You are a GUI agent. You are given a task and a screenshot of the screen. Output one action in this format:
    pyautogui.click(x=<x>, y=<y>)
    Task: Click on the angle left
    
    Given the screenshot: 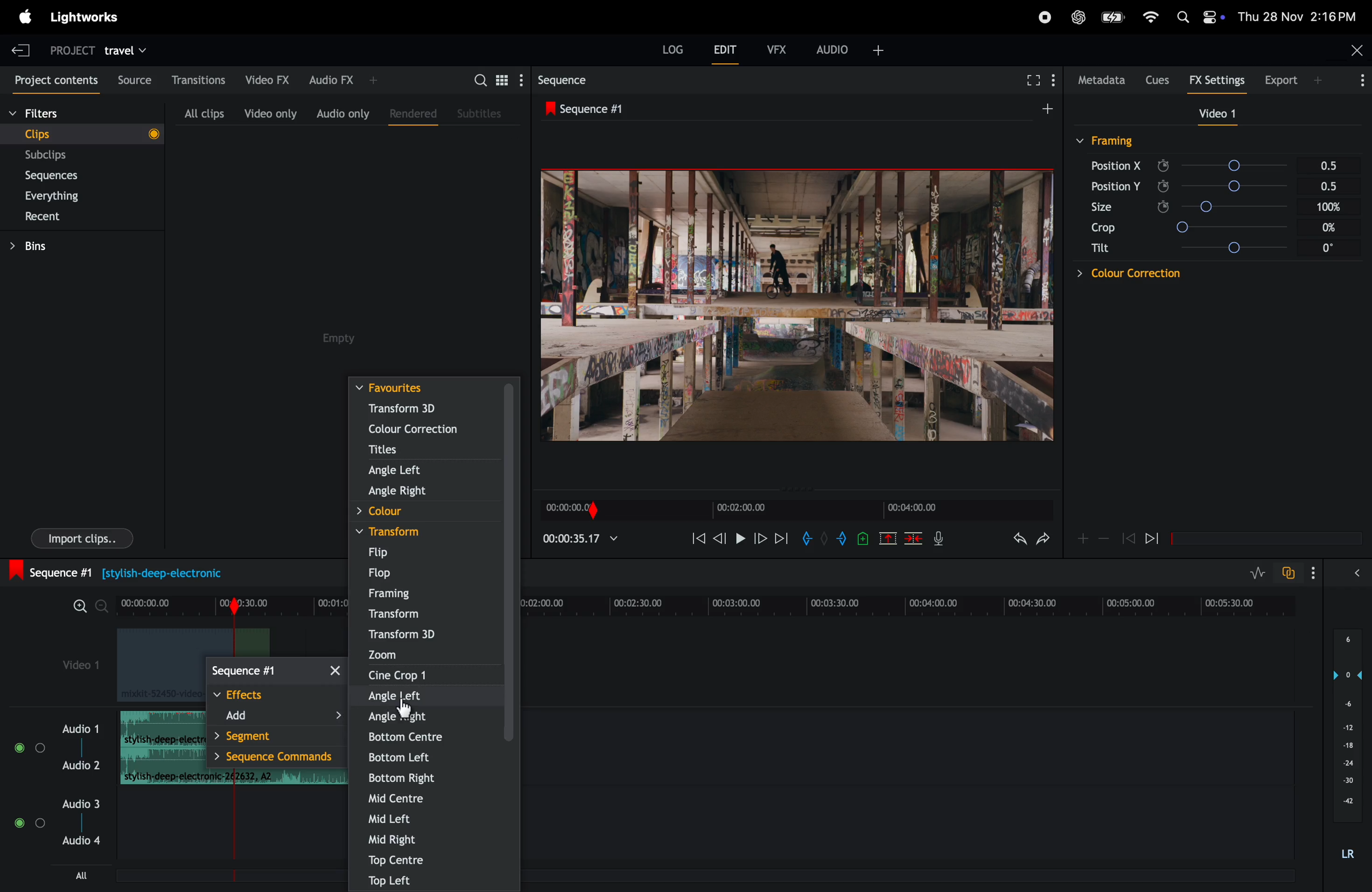 What is the action you would take?
    pyautogui.click(x=425, y=696)
    